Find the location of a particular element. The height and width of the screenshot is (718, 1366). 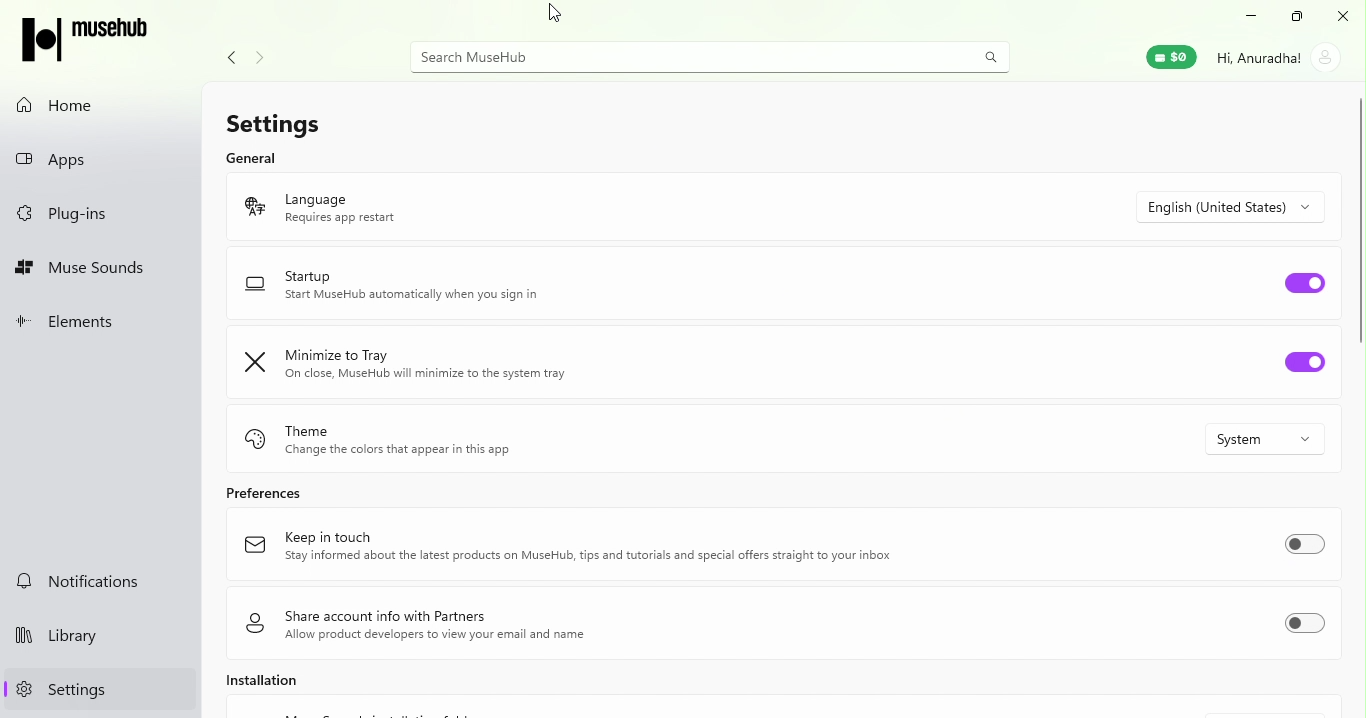

Navigate back is located at coordinates (234, 57).